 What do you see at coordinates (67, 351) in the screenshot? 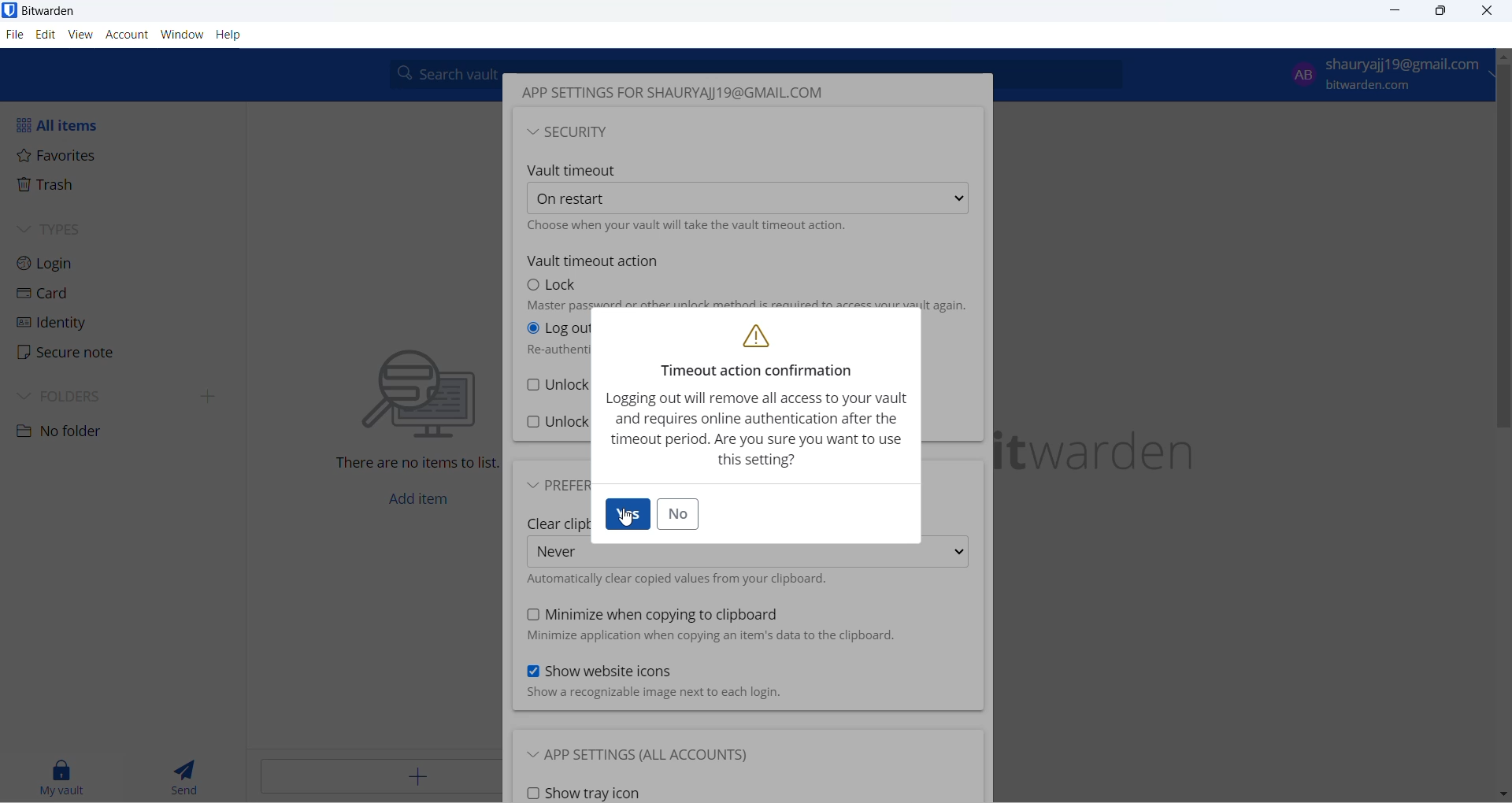
I see `Secure note` at bounding box center [67, 351].